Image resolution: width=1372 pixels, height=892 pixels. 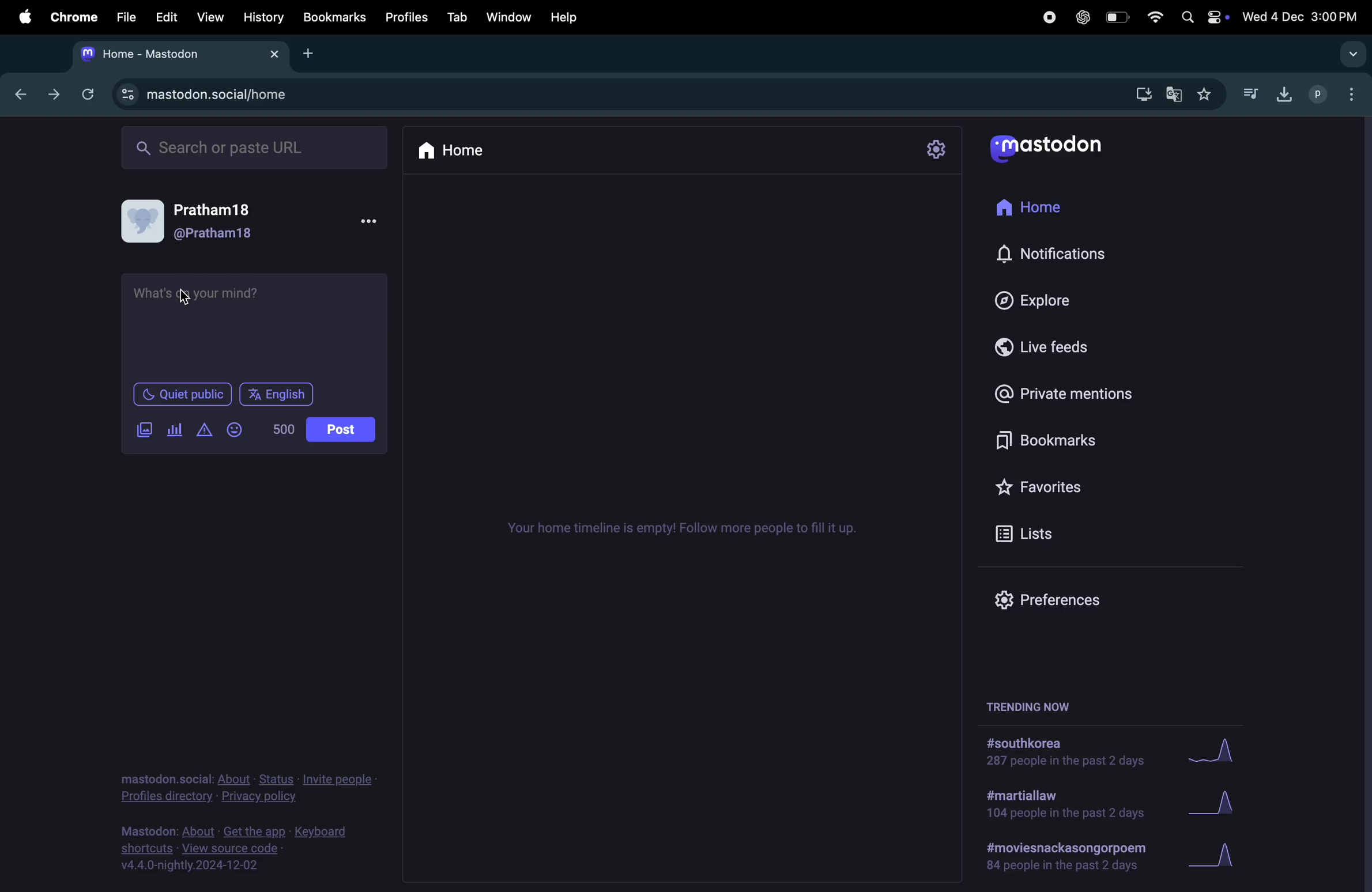 What do you see at coordinates (1044, 209) in the screenshot?
I see `Home` at bounding box center [1044, 209].